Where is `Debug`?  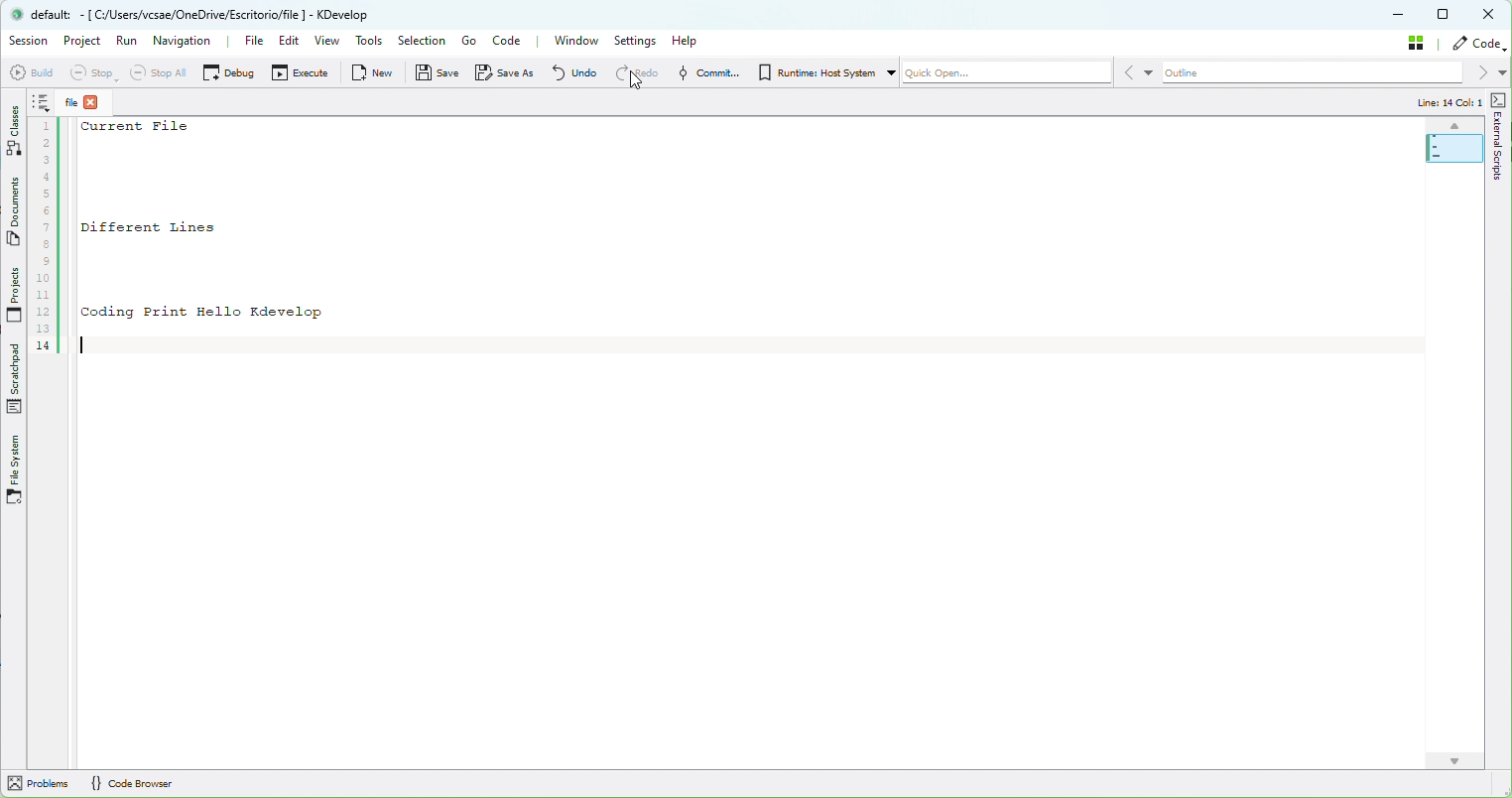 Debug is located at coordinates (232, 70).